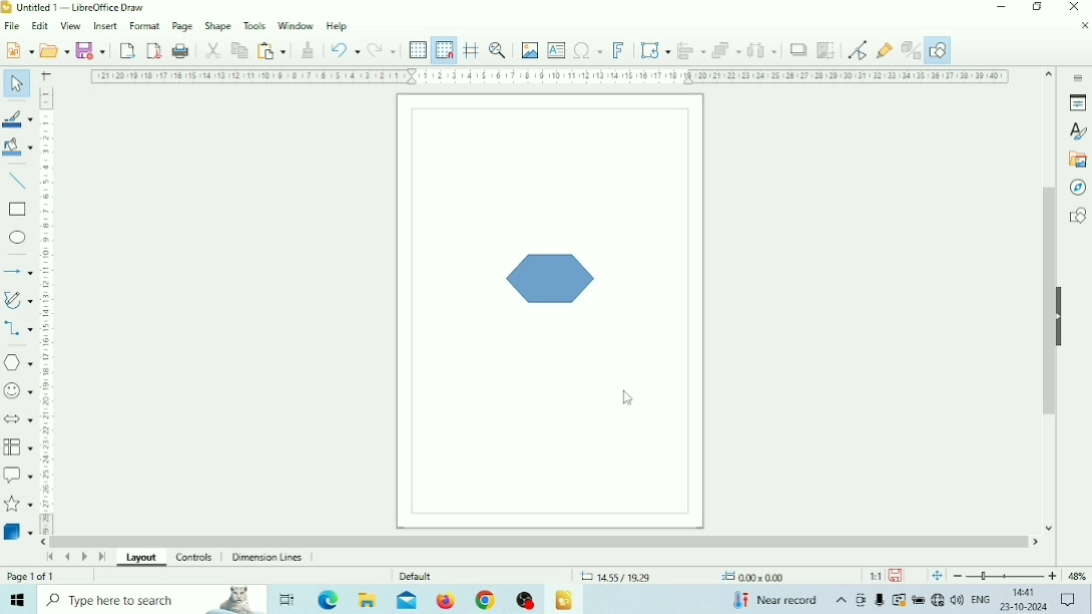 The image size is (1092, 614). Describe the element at coordinates (181, 51) in the screenshot. I see `Print` at that location.